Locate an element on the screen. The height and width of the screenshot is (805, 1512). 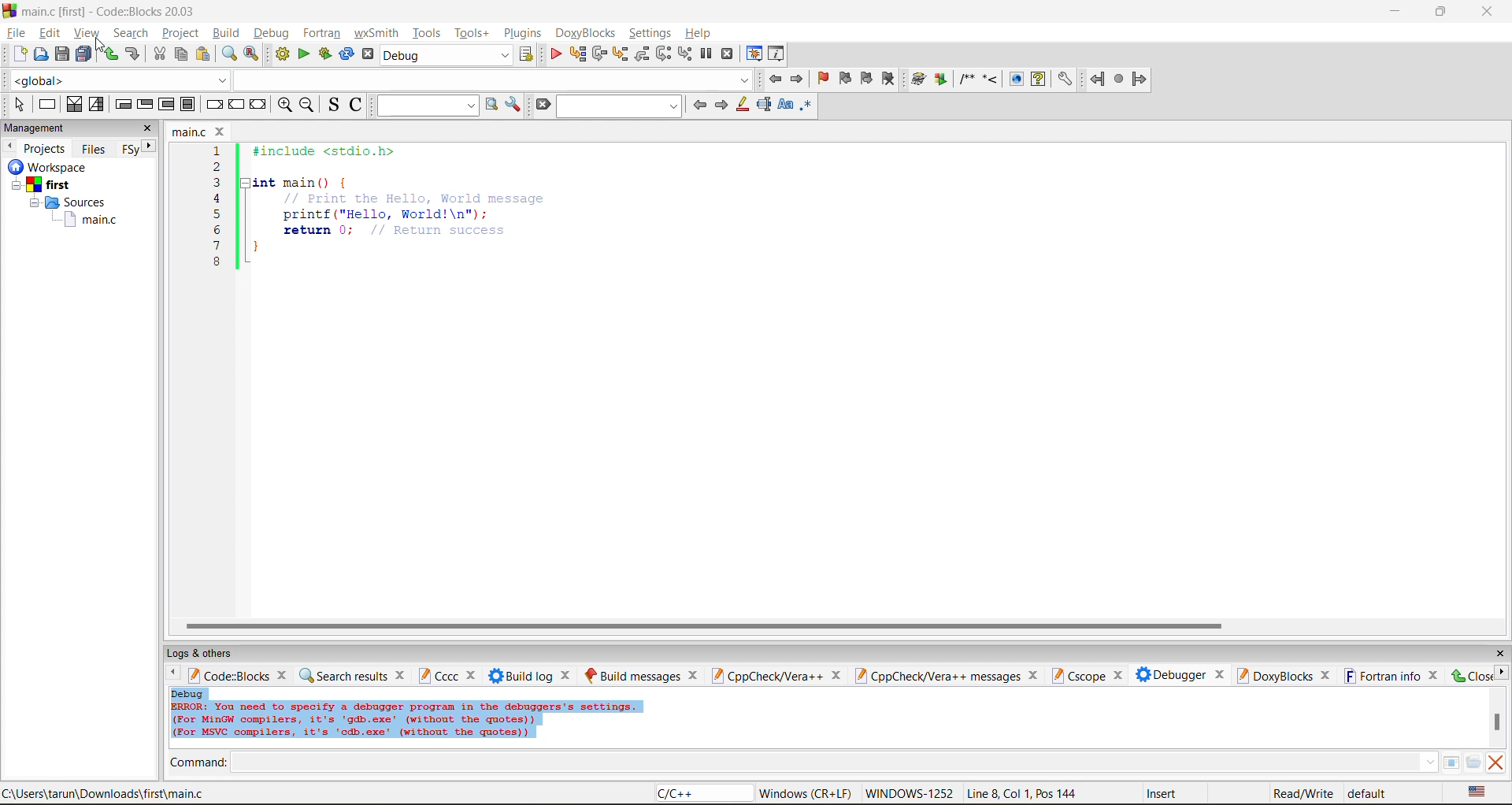
previous is located at coordinates (701, 104).